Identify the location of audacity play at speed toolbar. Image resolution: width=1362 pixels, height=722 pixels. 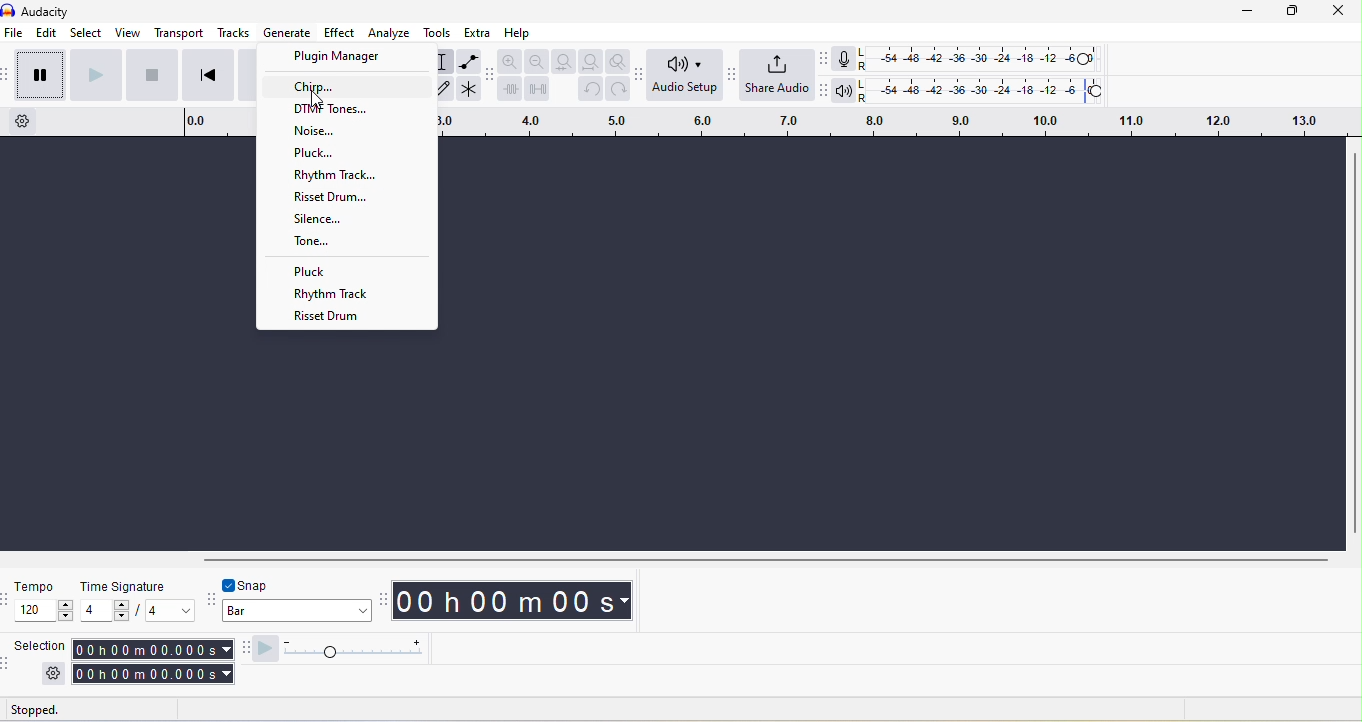
(243, 649).